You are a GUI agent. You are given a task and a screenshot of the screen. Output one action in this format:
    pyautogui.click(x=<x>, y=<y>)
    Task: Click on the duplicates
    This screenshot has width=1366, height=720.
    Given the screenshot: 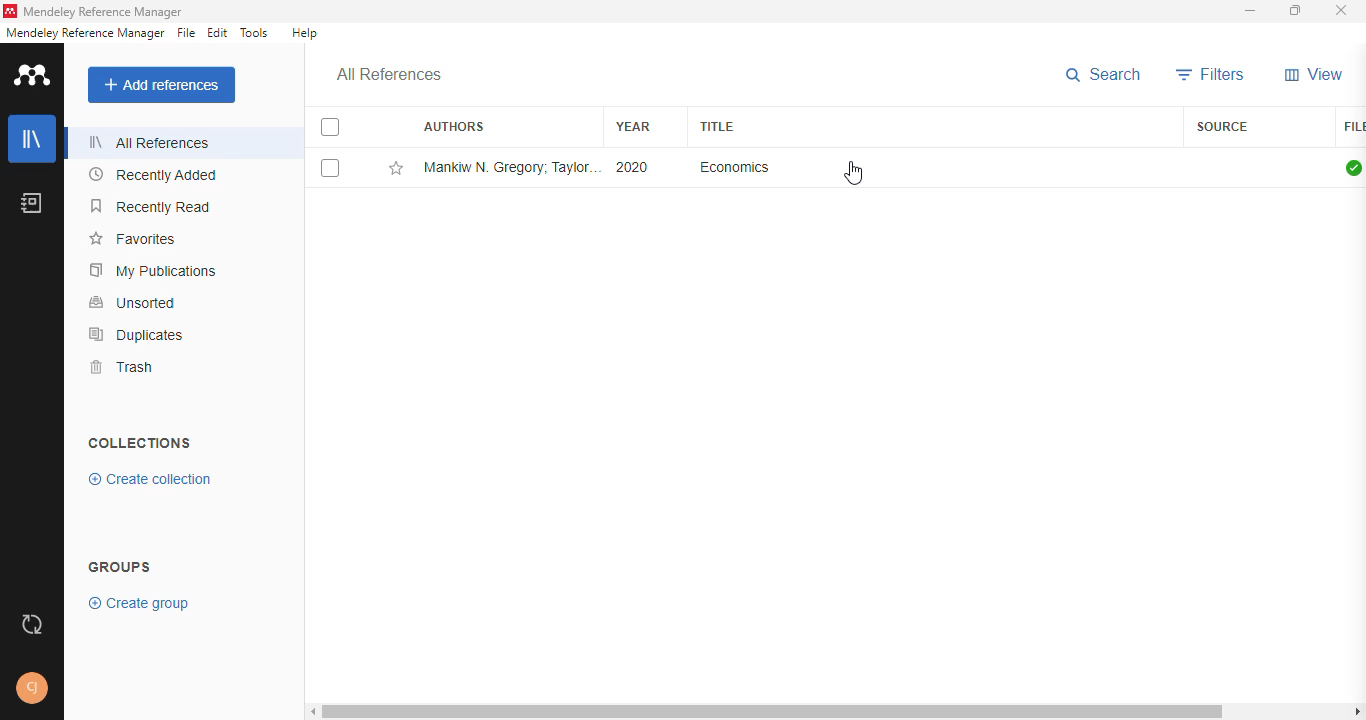 What is the action you would take?
    pyautogui.click(x=136, y=335)
    